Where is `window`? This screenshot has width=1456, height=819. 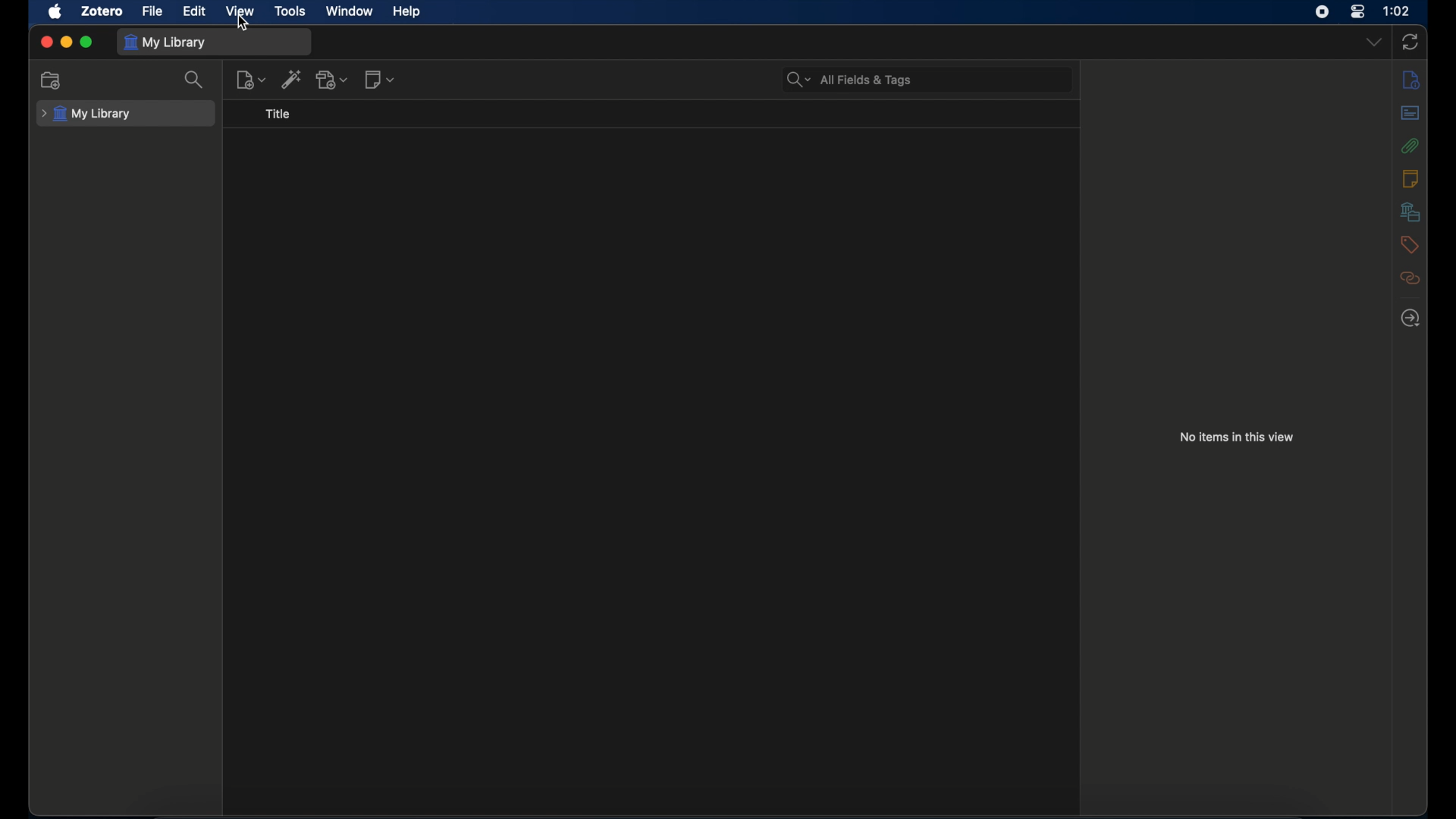
window is located at coordinates (350, 10).